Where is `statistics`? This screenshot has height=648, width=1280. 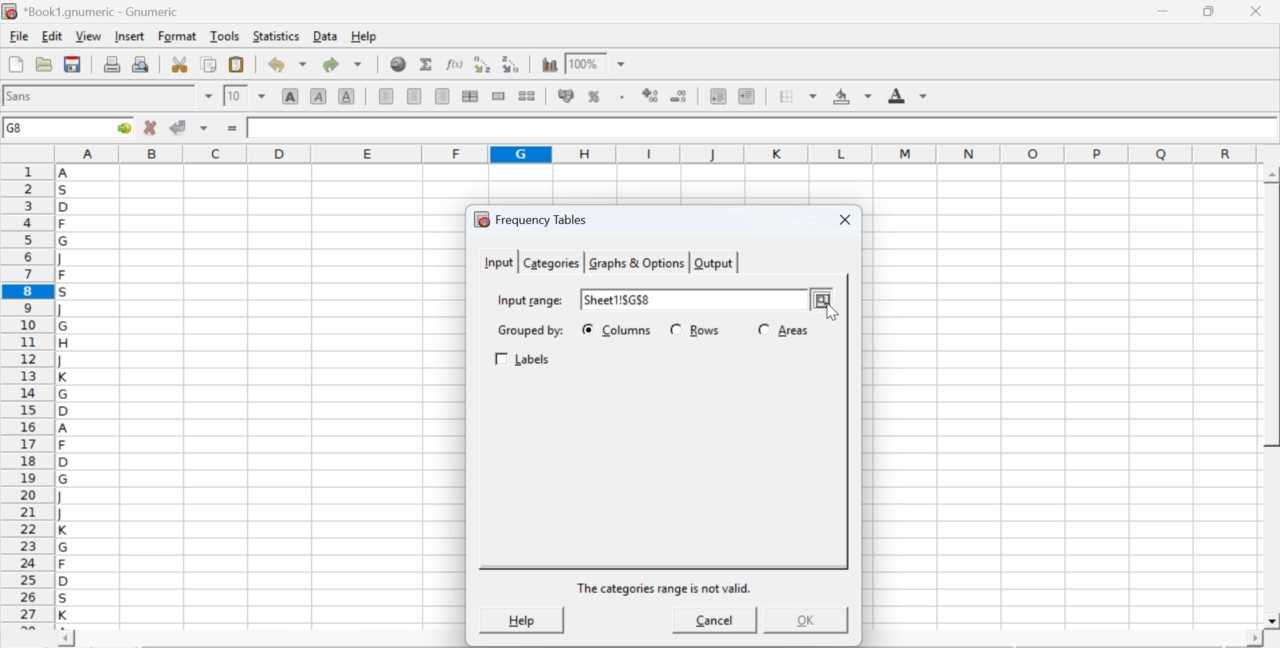
statistics is located at coordinates (274, 36).